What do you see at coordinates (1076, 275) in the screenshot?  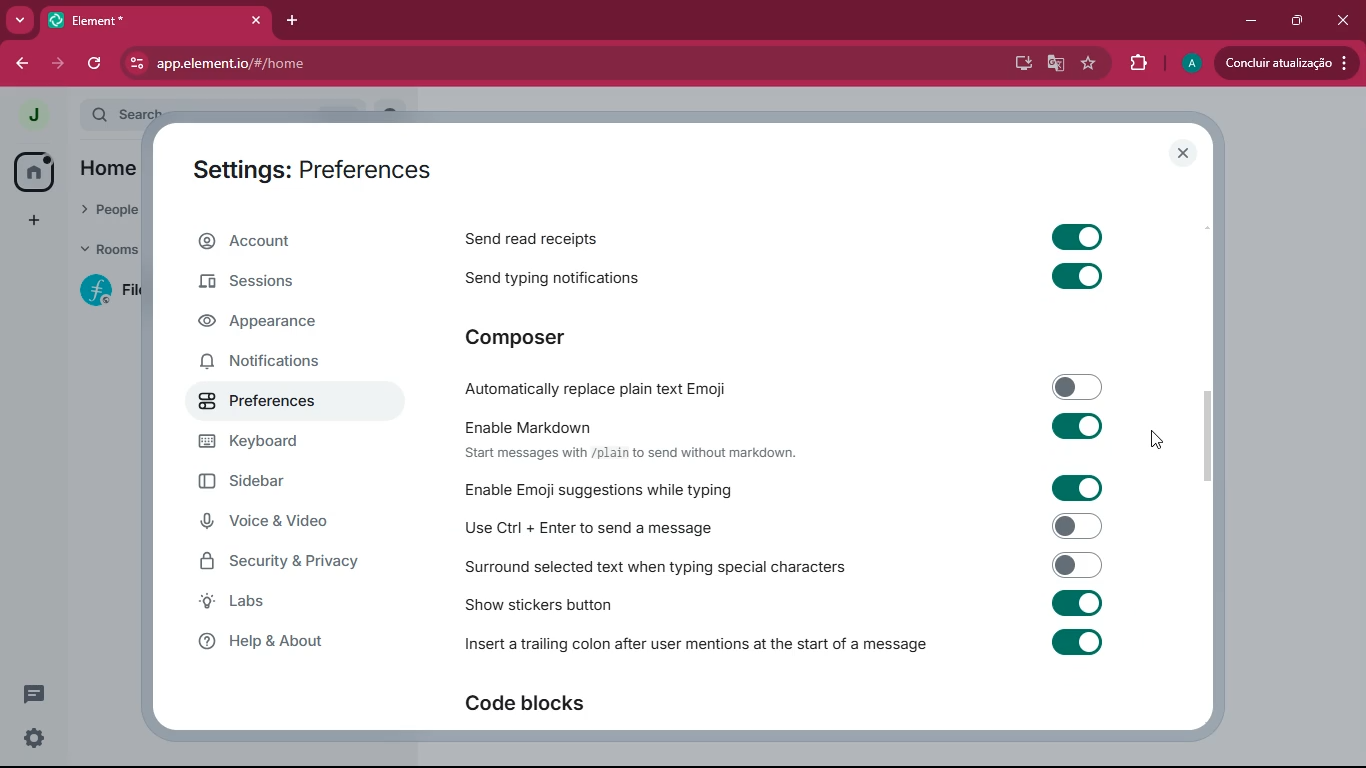 I see `toggle on or off` at bounding box center [1076, 275].